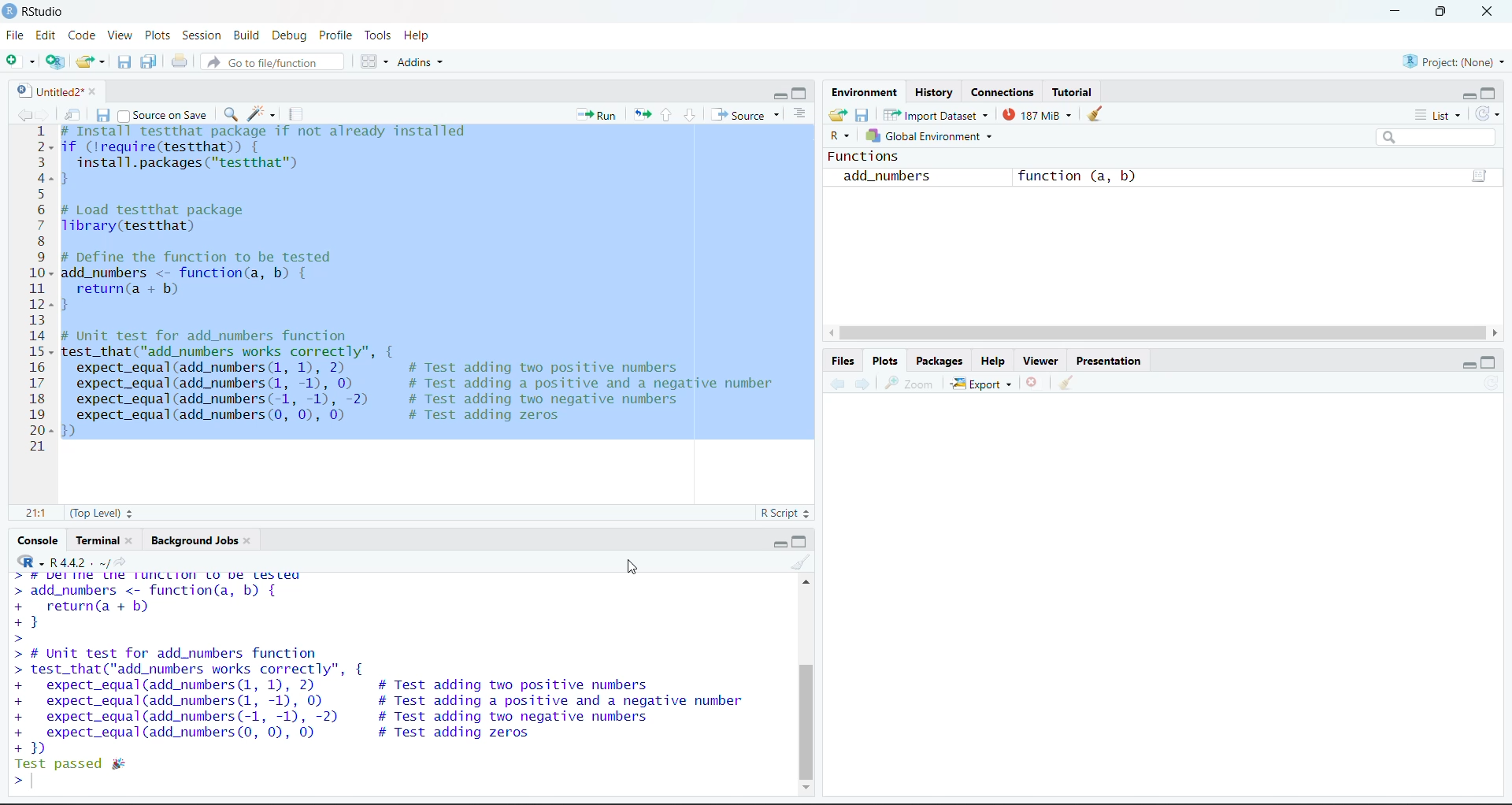  I want to click on view the current working  directory, so click(113, 562).